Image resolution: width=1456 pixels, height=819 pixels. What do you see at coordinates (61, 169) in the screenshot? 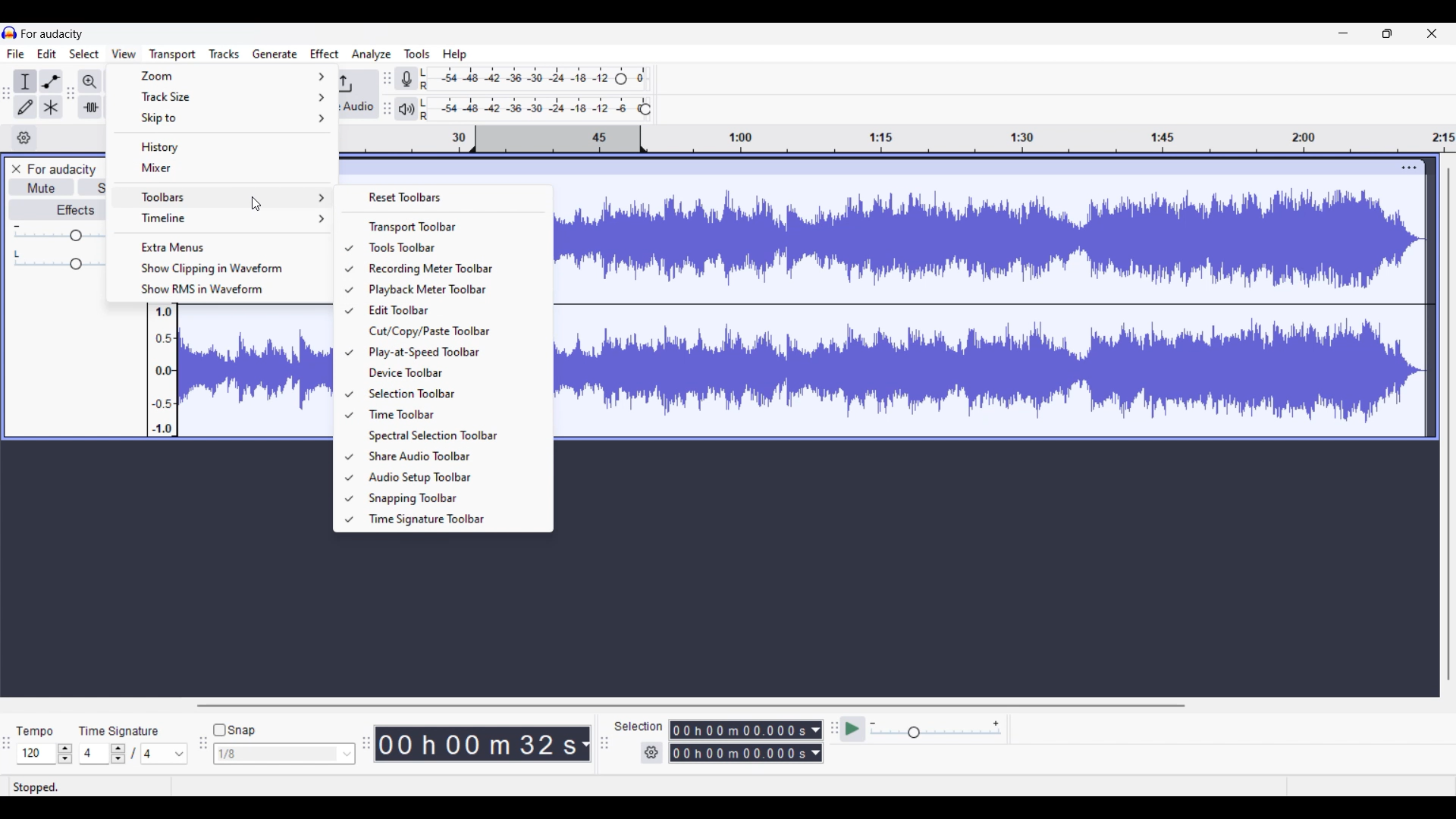
I see `Project name - For audacity` at bounding box center [61, 169].